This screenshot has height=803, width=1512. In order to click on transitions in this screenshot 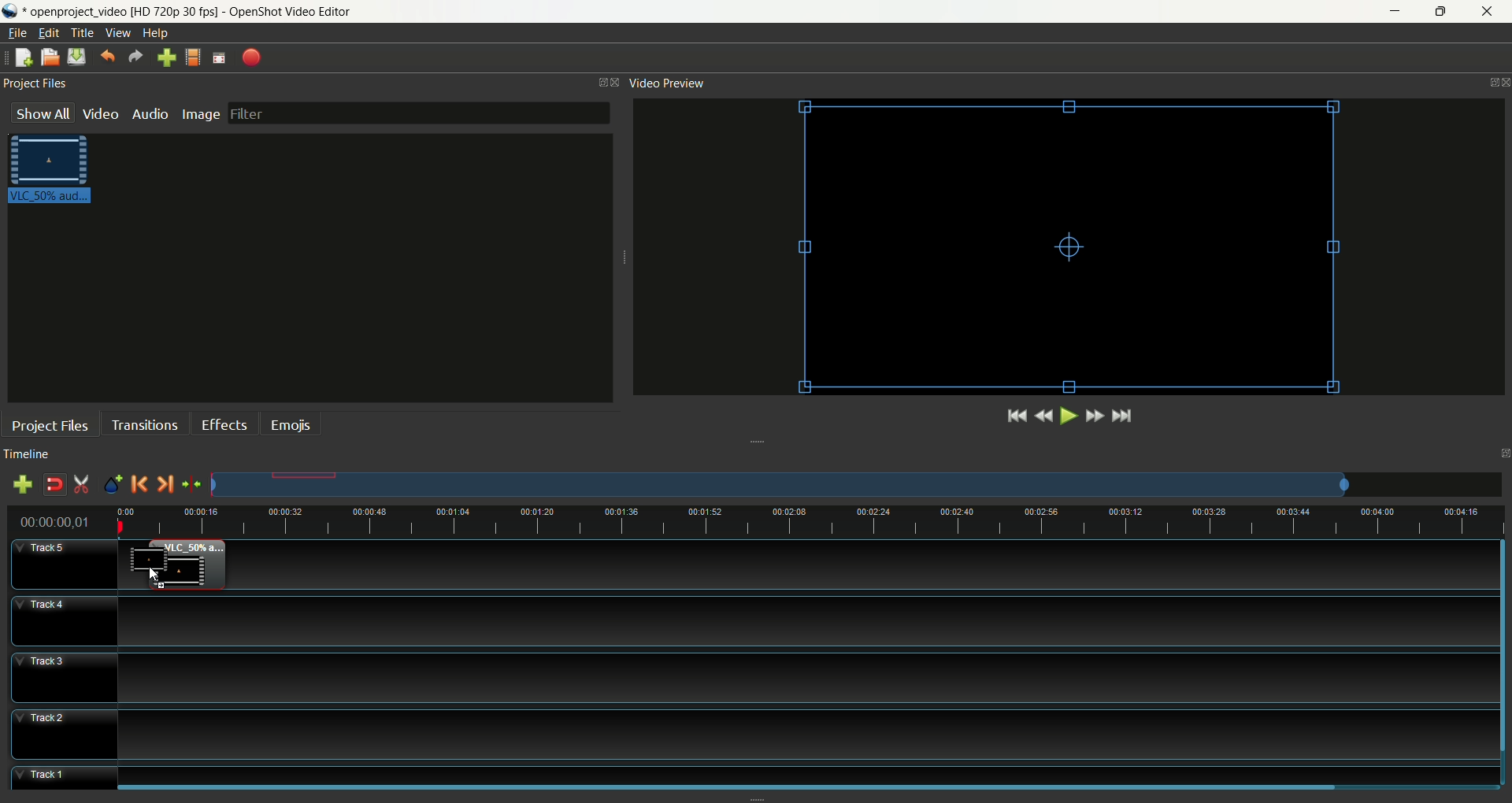, I will do `click(143, 426)`.